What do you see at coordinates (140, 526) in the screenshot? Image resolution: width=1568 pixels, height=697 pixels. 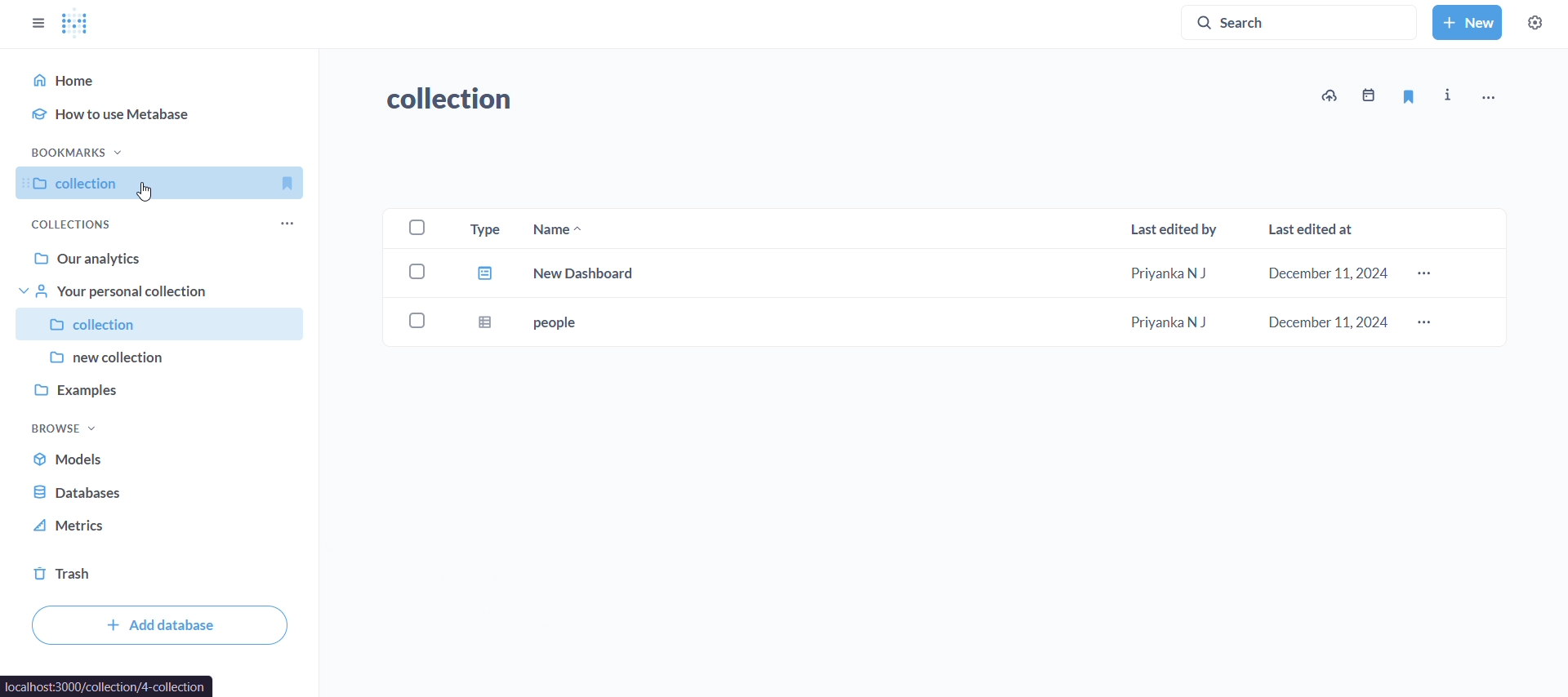 I see `metrics` at bounding box center [140, 526].